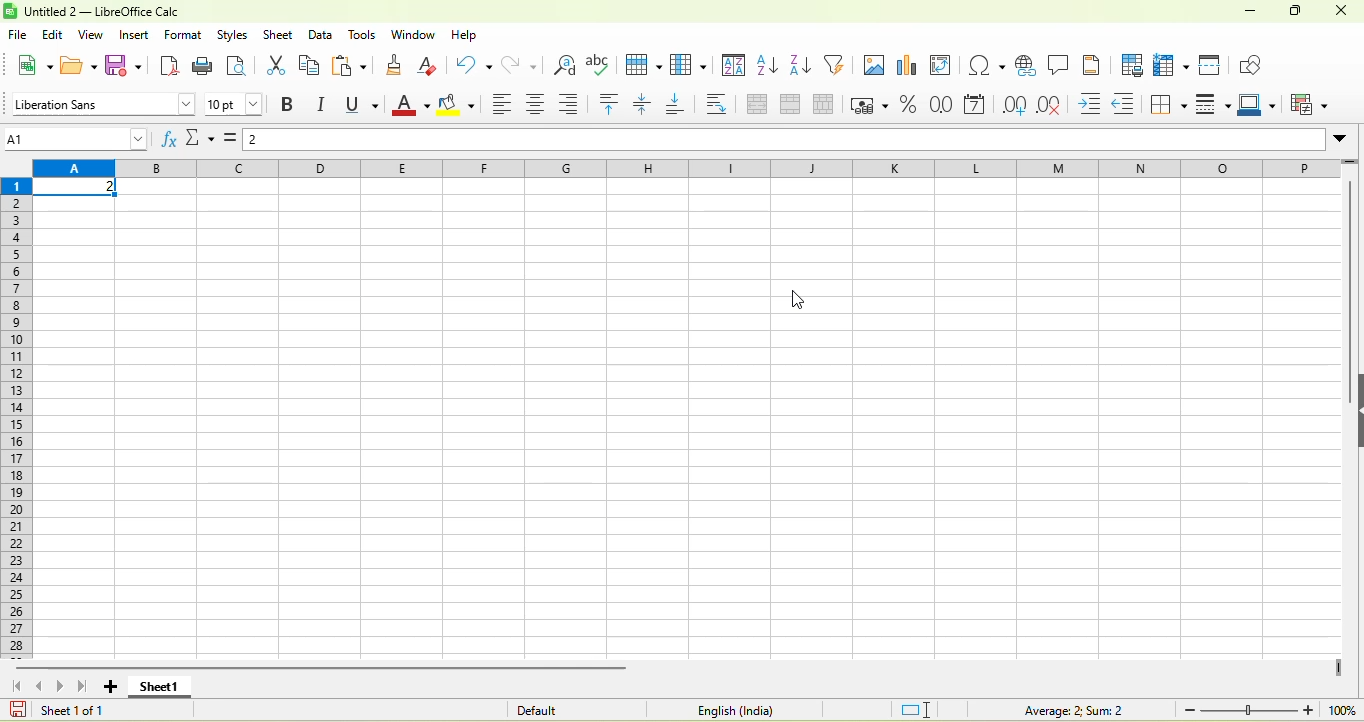 The image size is (1364, 722). What do you see at coordinates (234, 104) in the screenshot?
I see `font size` at bounding box center [234, 104].